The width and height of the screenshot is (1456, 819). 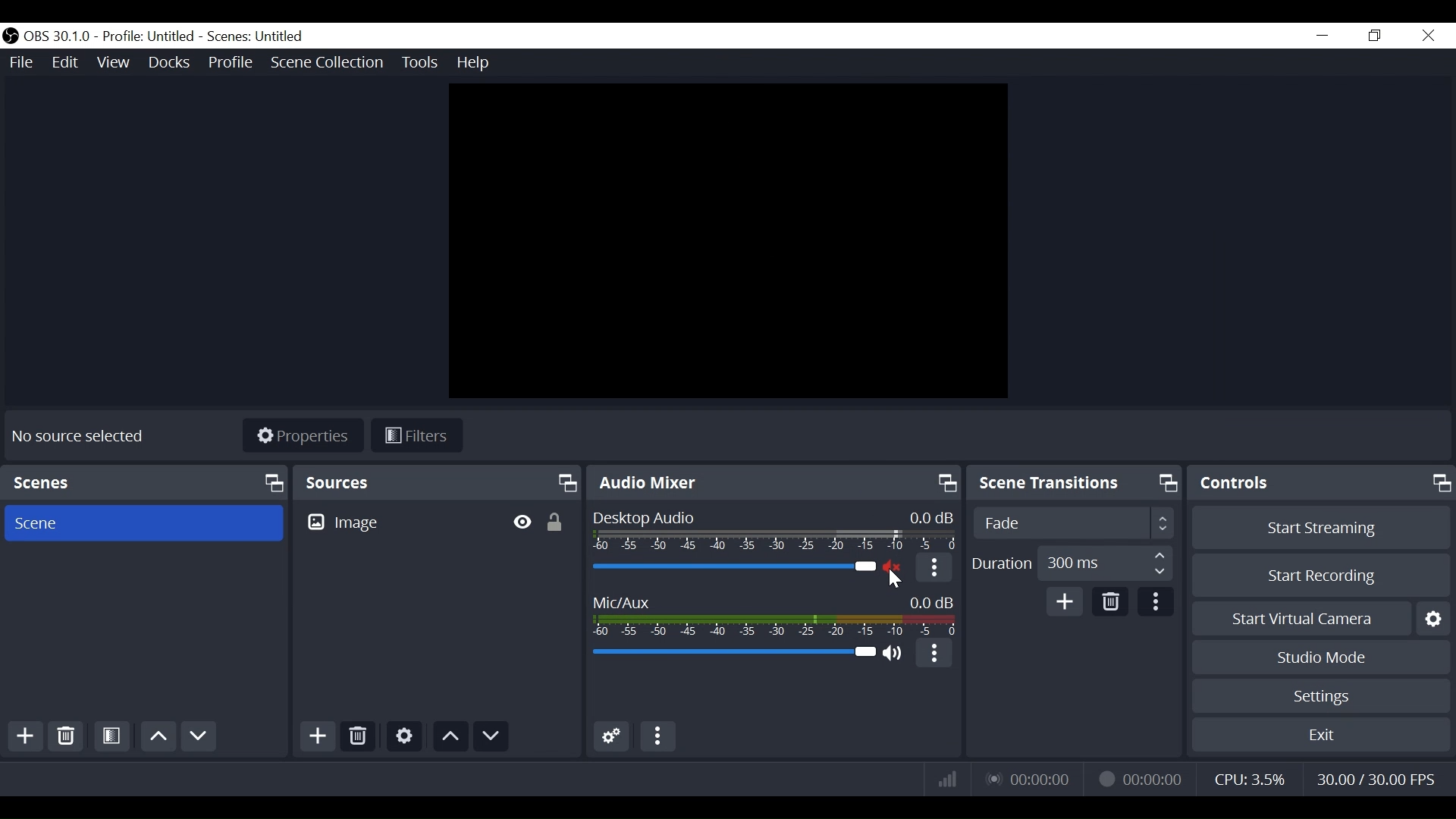 What do you see at coordinates (1323, 36) in the screenshot?
I see `minimize` at bounding box center [1323, 36].